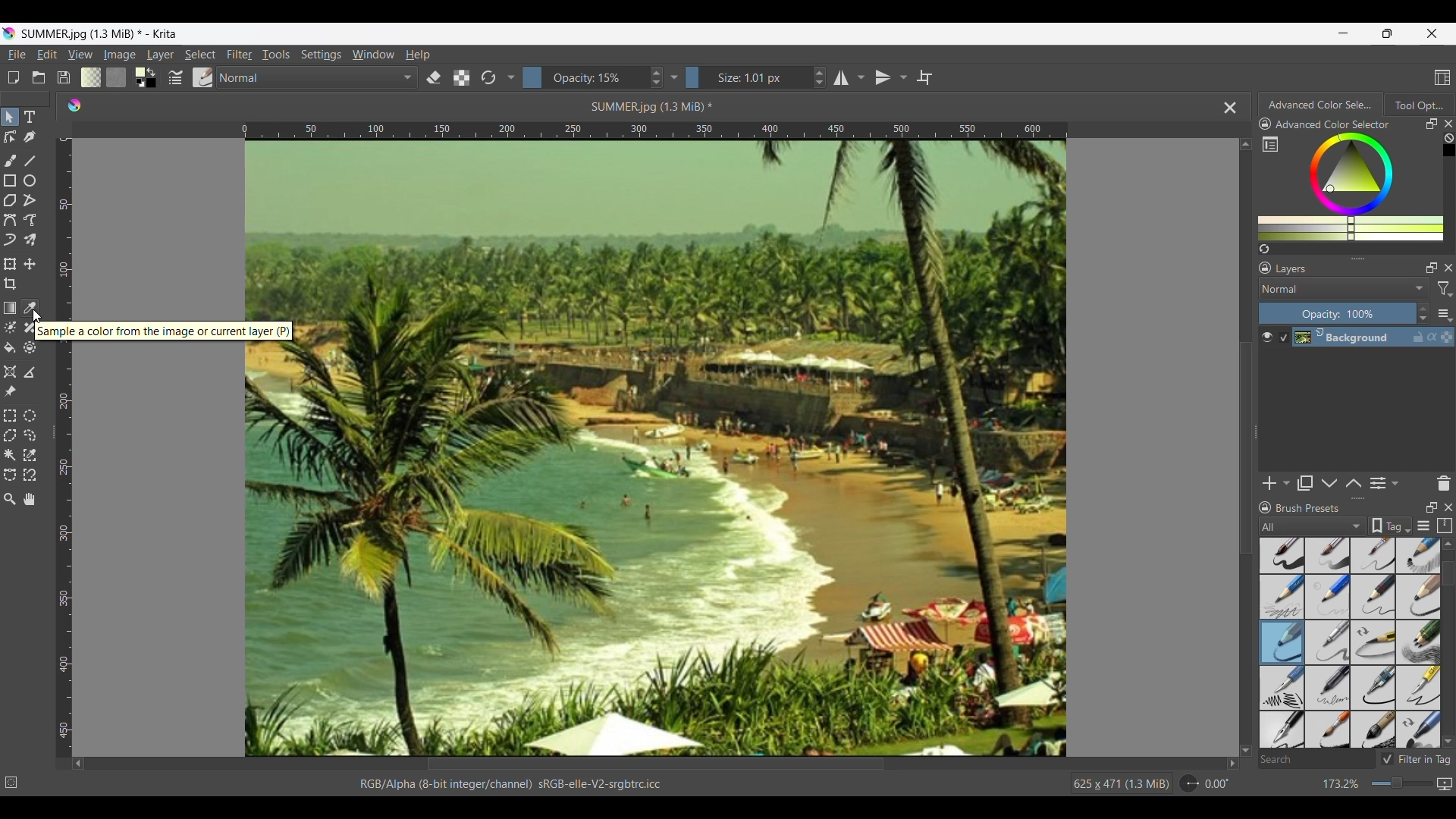 This screenshot has height=819, width=1456. What do you see at coordinates (321, 54) in the screenshot?
I see `Settings menu` at bounding box center [321, 54].